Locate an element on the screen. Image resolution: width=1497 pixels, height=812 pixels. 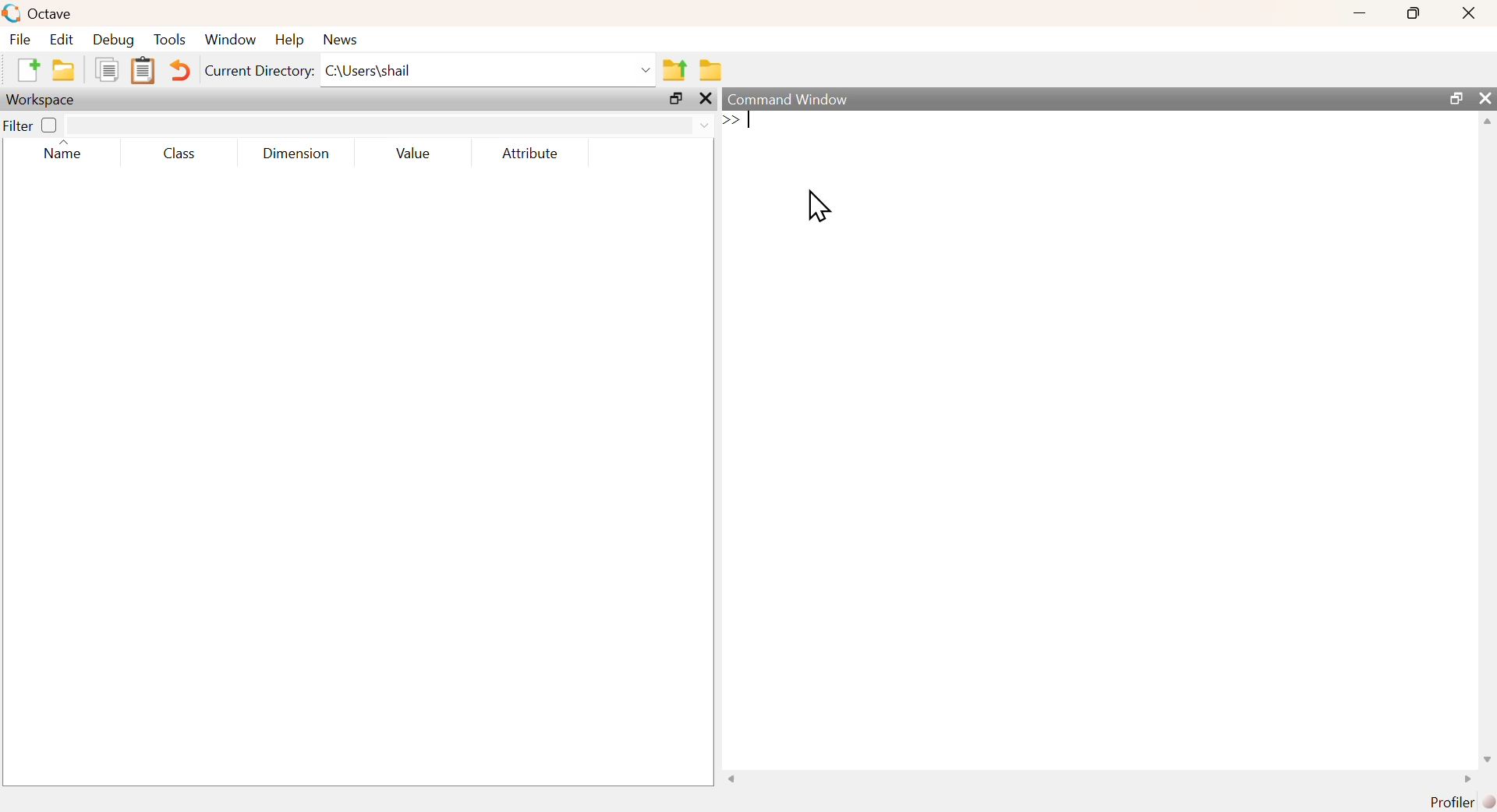
Dimension is located at coordinates (298, 154).